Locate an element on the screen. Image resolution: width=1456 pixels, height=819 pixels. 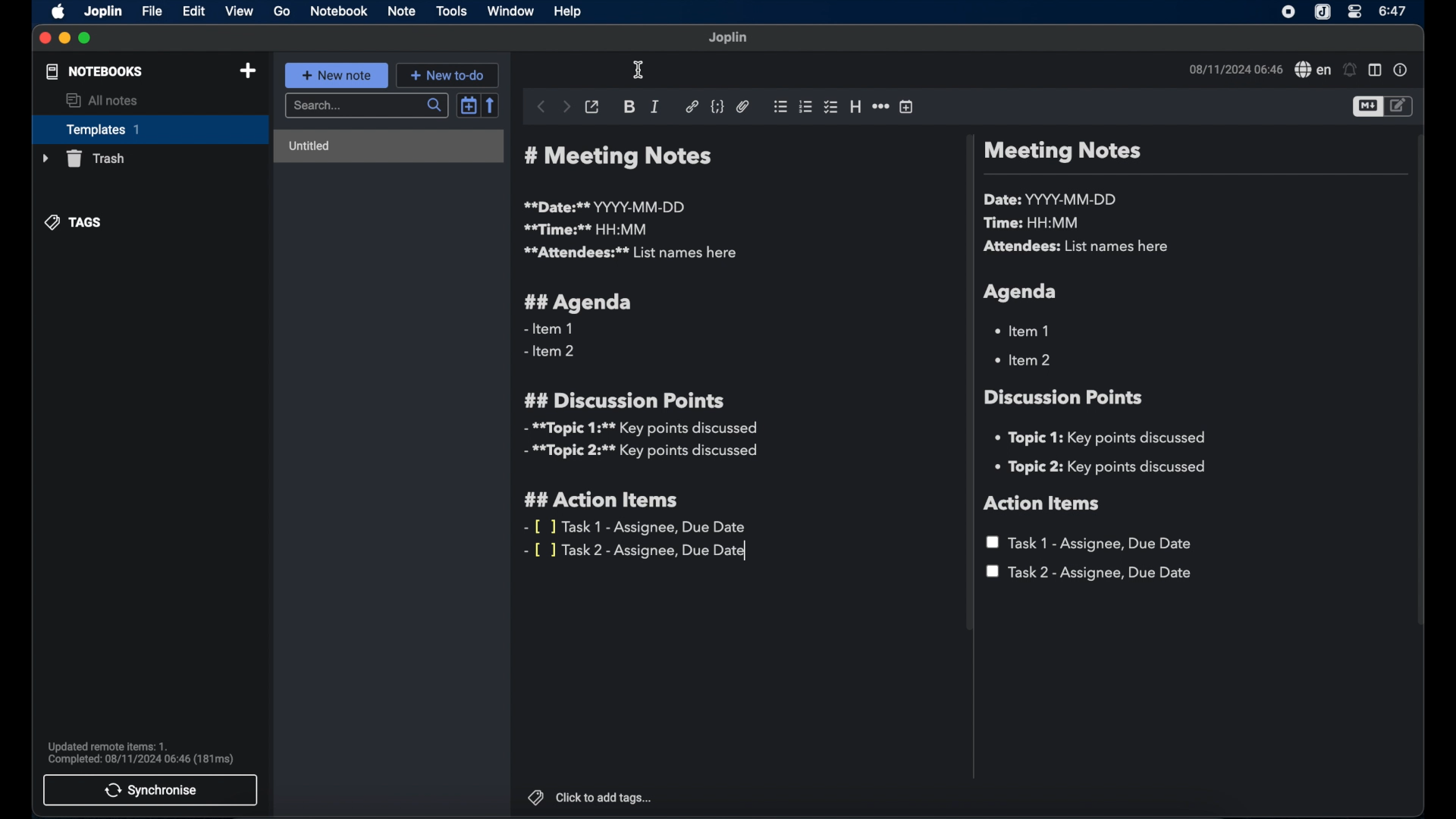
## action items is located at coordinates (605, 500).